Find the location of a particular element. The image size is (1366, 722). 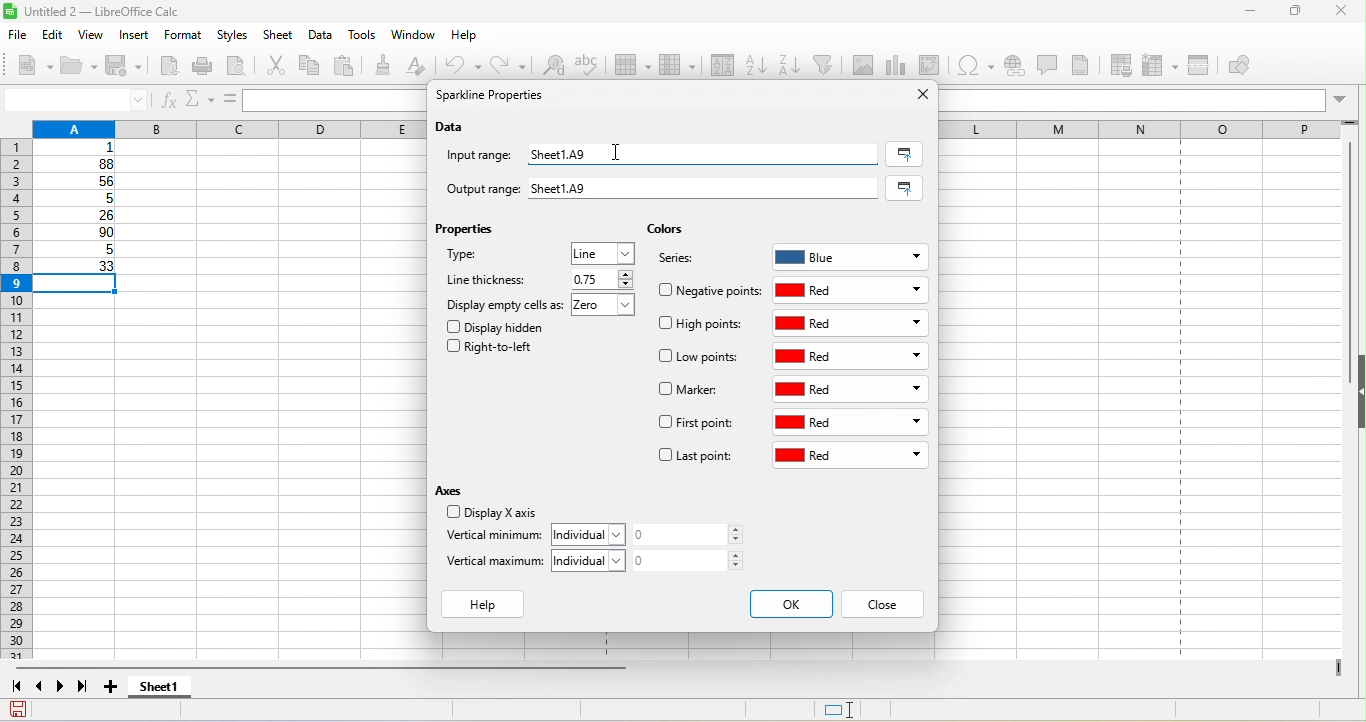

vertical minimum is located at coordinates (493, 537).